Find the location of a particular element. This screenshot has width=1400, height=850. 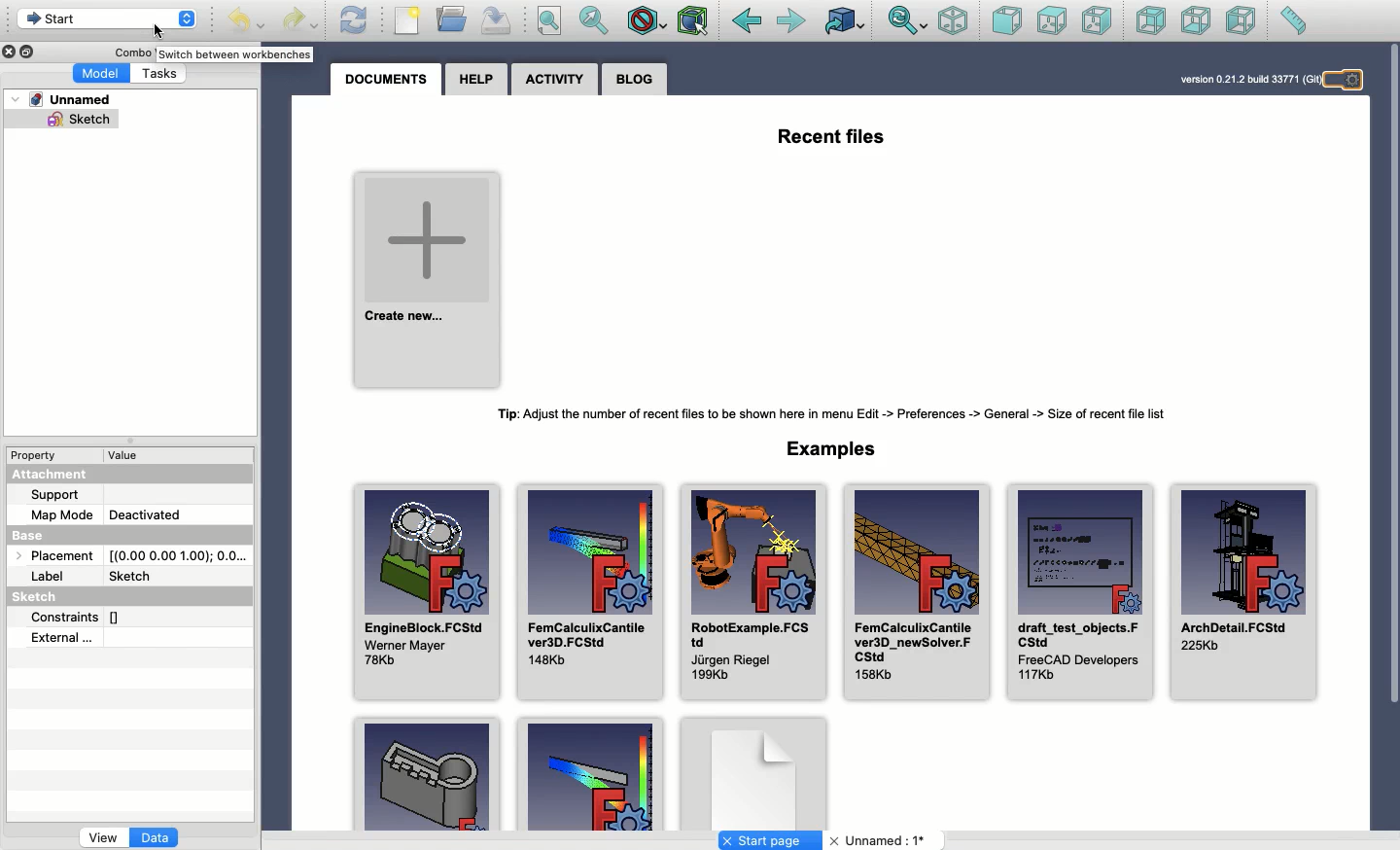

Deactivated is located at coordinates (147, 514).